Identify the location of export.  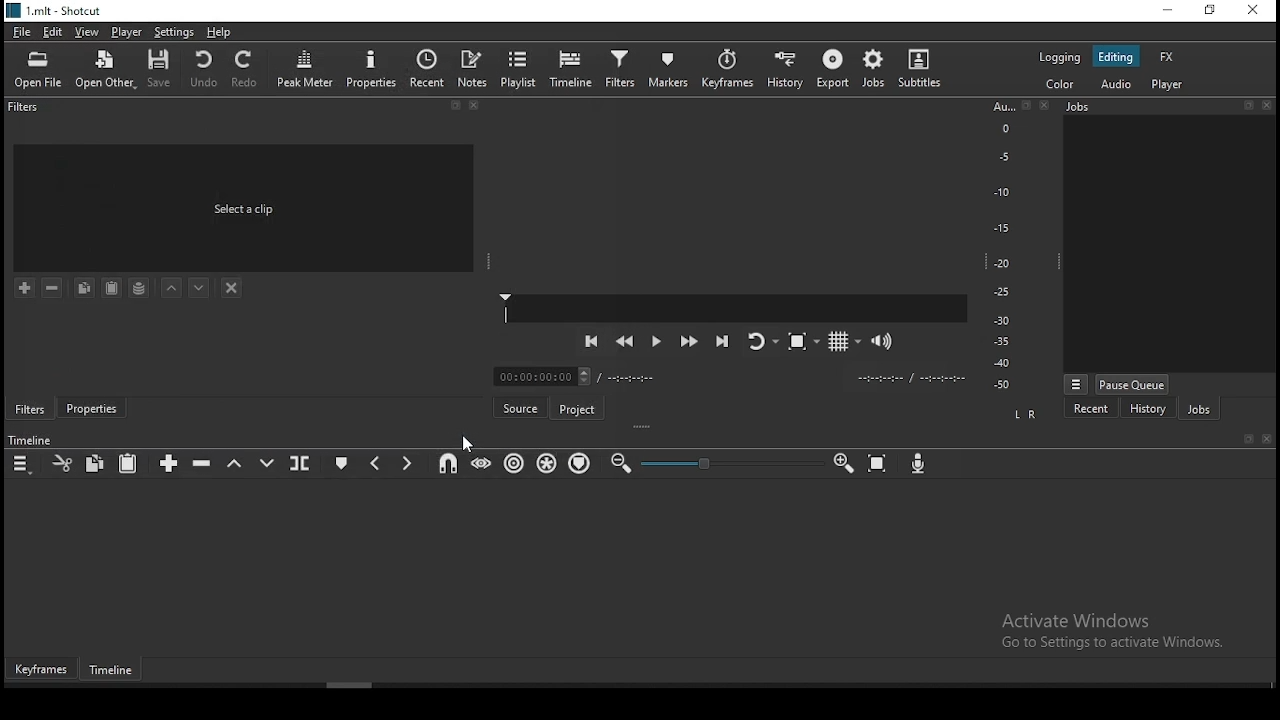
(831, 72).